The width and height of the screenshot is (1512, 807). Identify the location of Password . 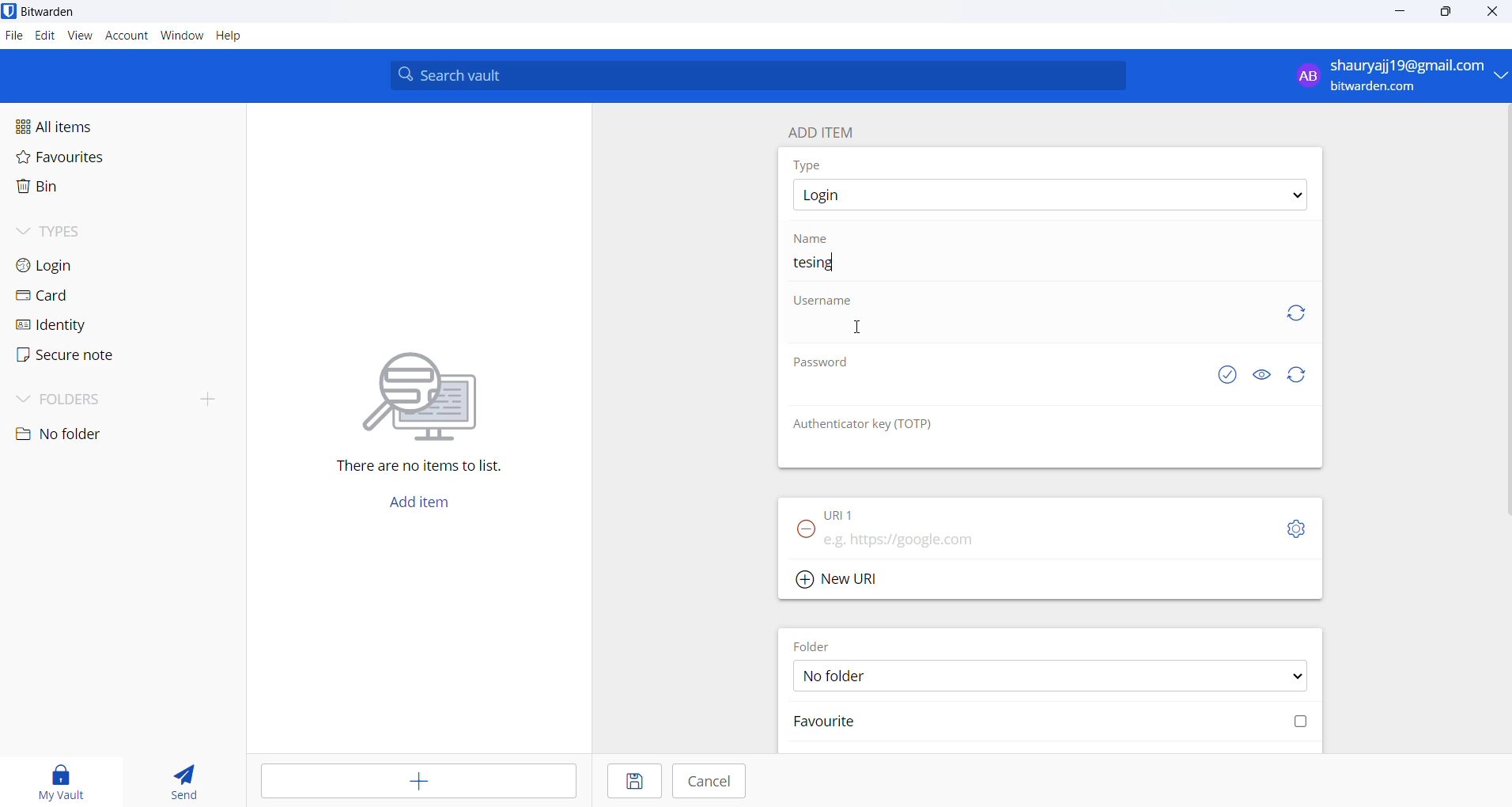
(825, 366).